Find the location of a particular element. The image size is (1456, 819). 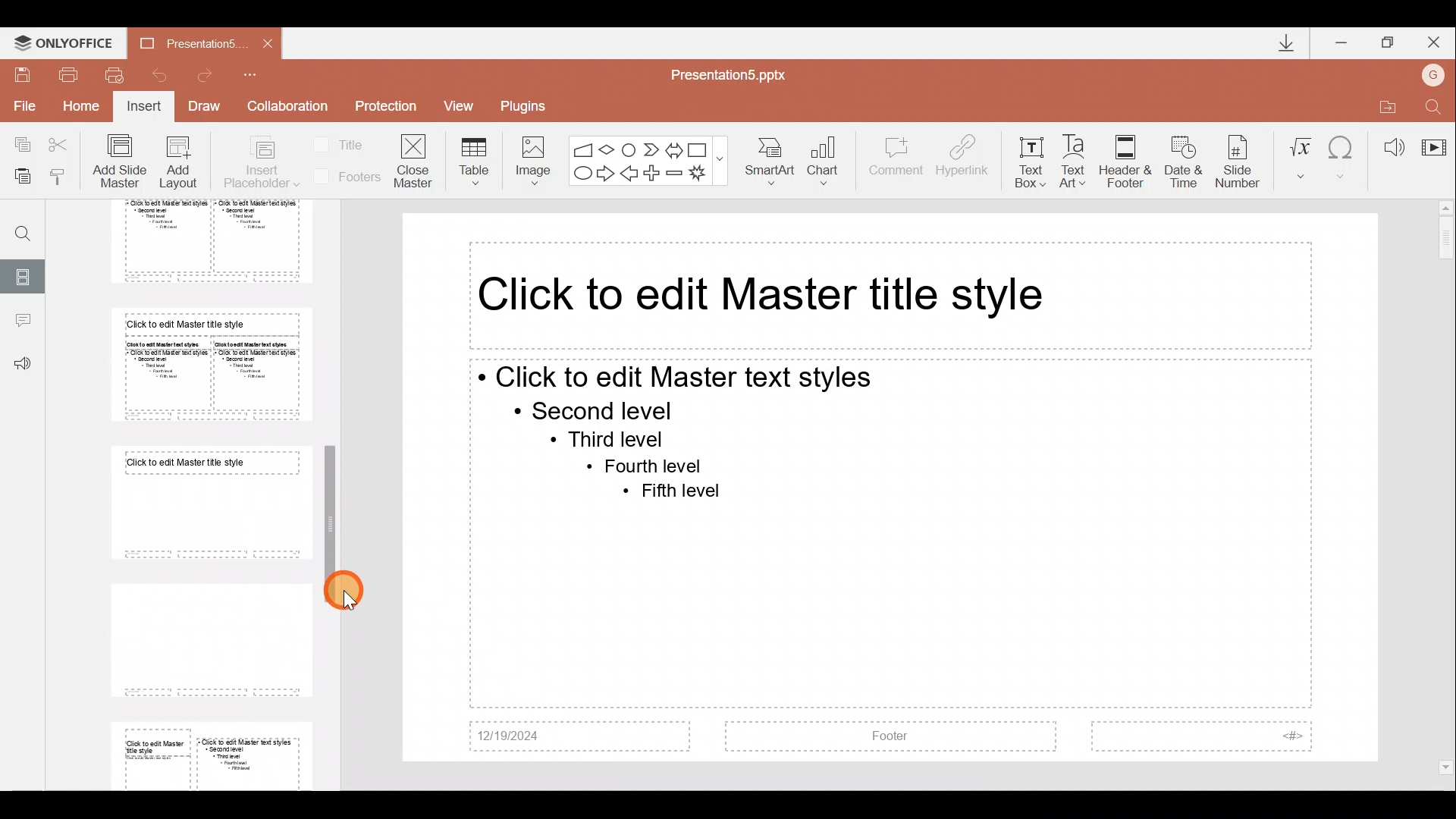

Save is located at coordinates (23, 73).